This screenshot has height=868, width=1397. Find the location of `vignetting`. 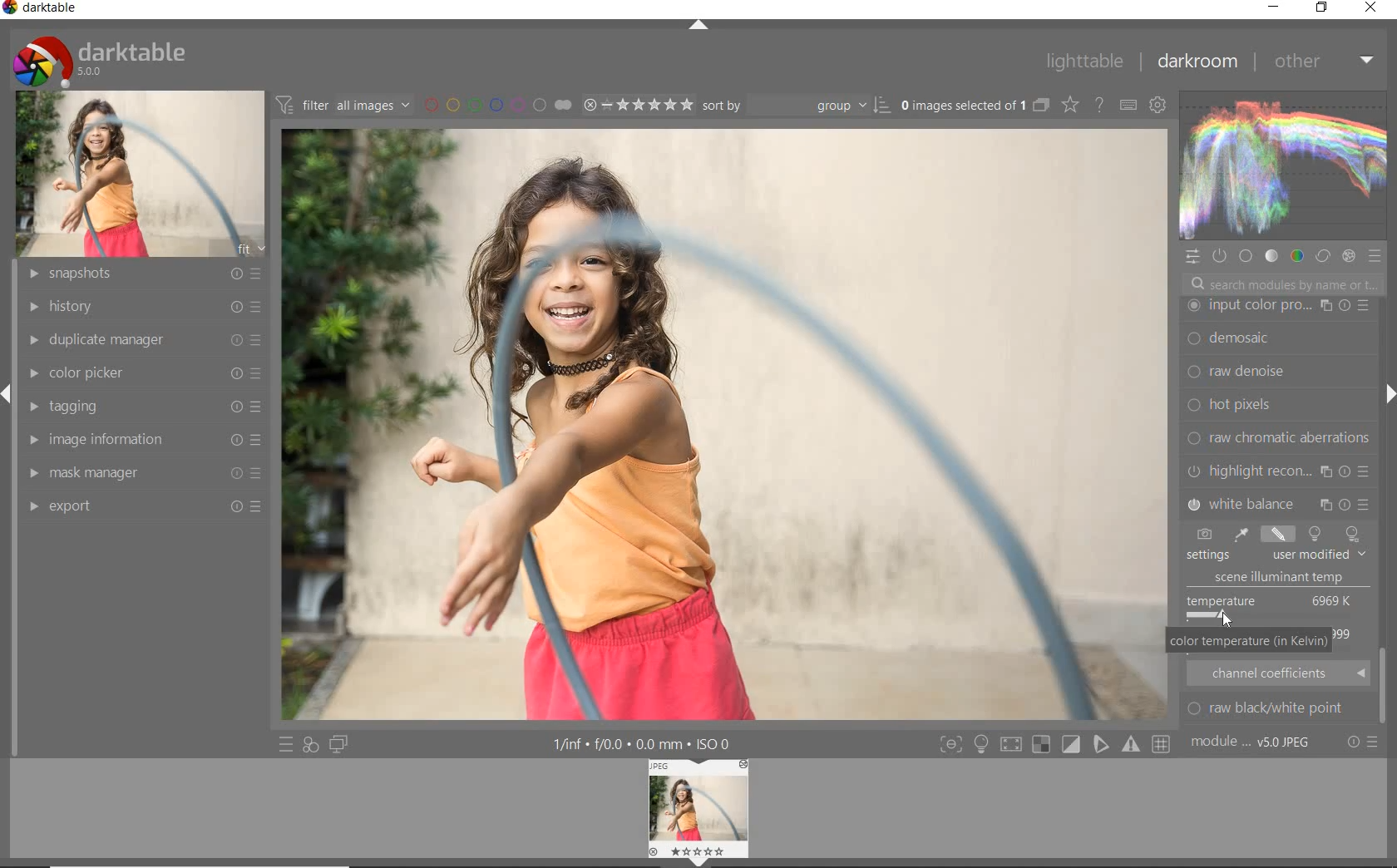

vignetting is located at coordinates (1277, 471).